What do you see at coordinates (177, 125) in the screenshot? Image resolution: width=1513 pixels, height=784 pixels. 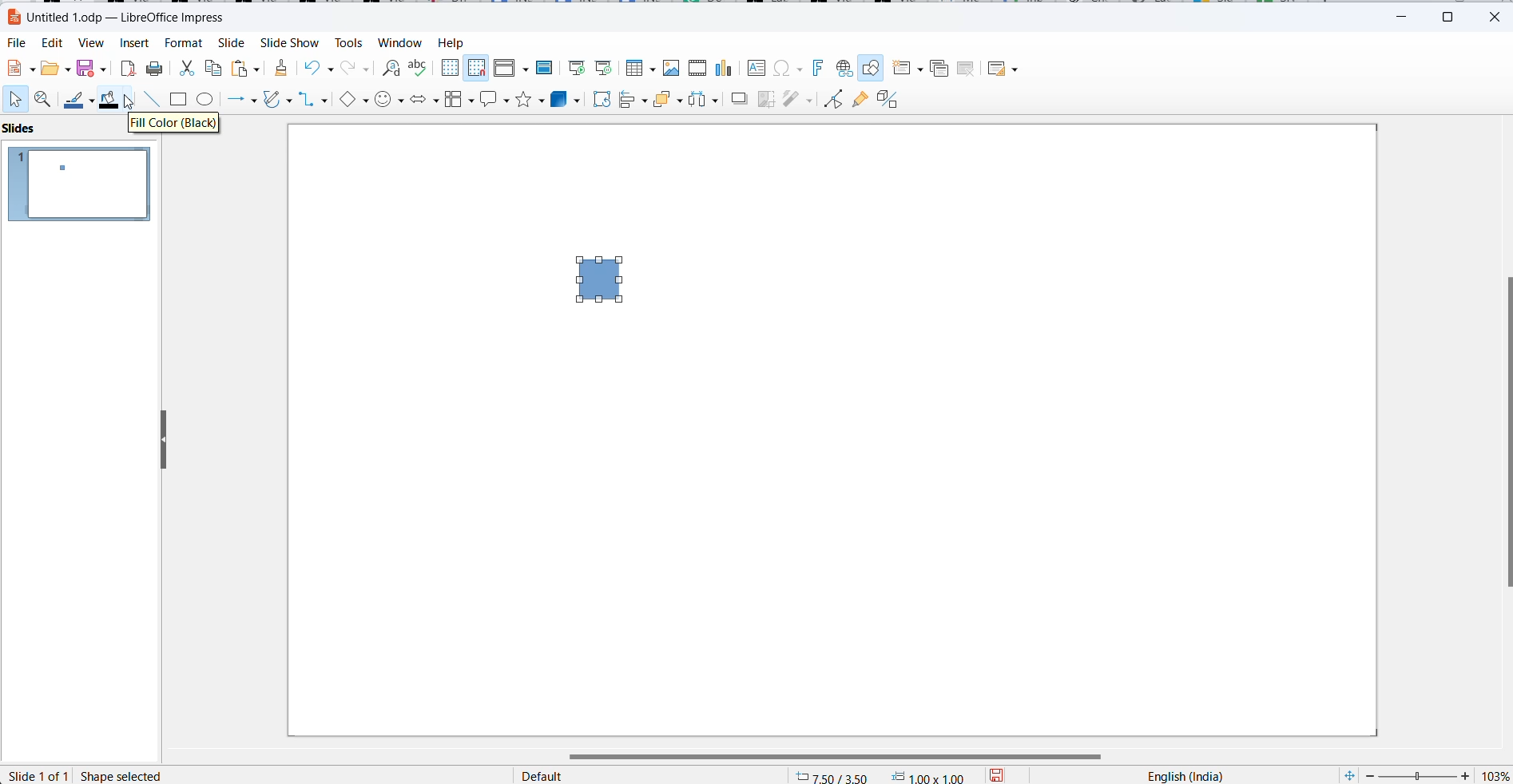 I see `hover text` at bounding box center [177, 125].